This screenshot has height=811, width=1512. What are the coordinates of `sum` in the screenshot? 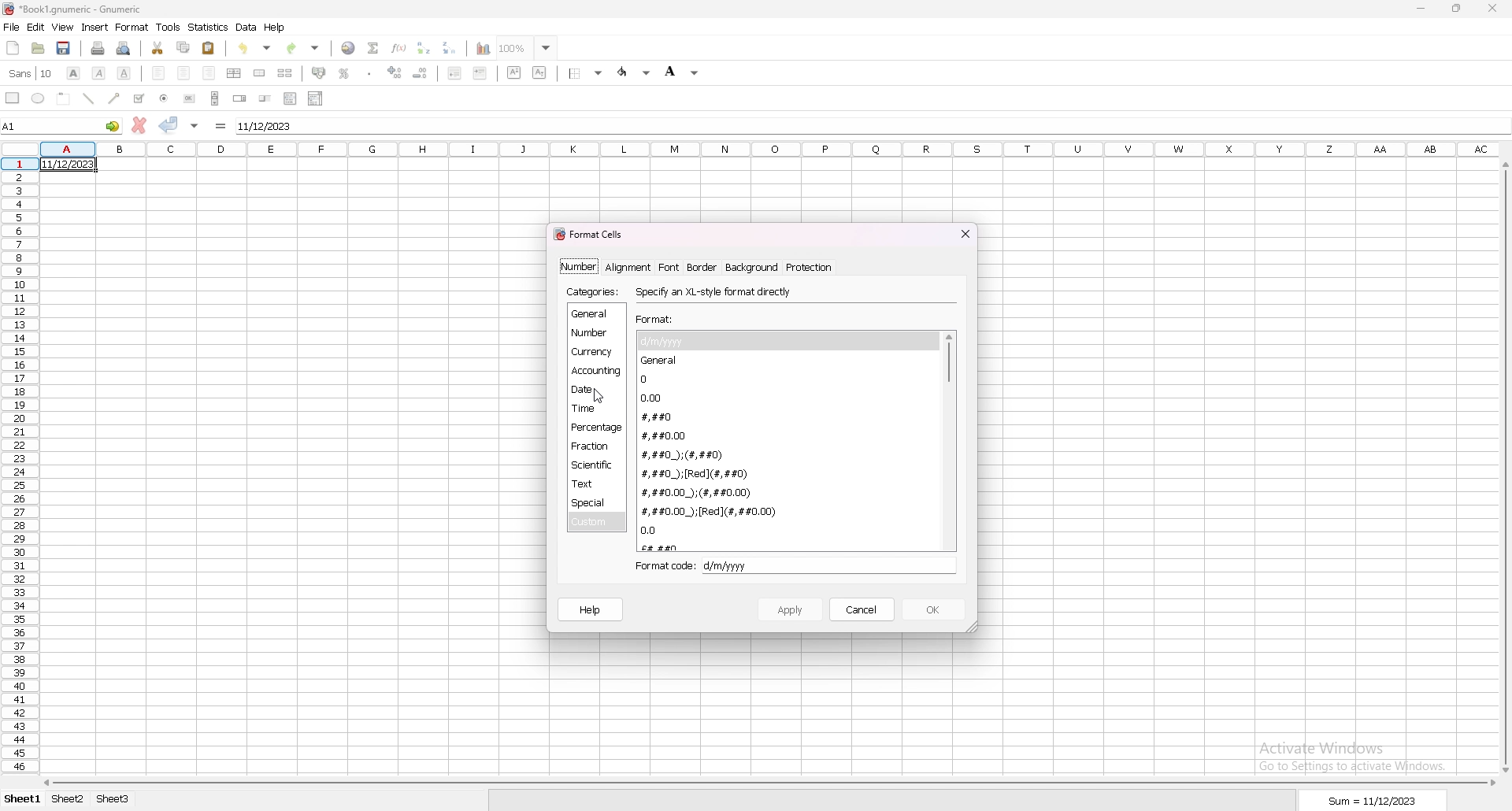 It's located at (1373, 801).